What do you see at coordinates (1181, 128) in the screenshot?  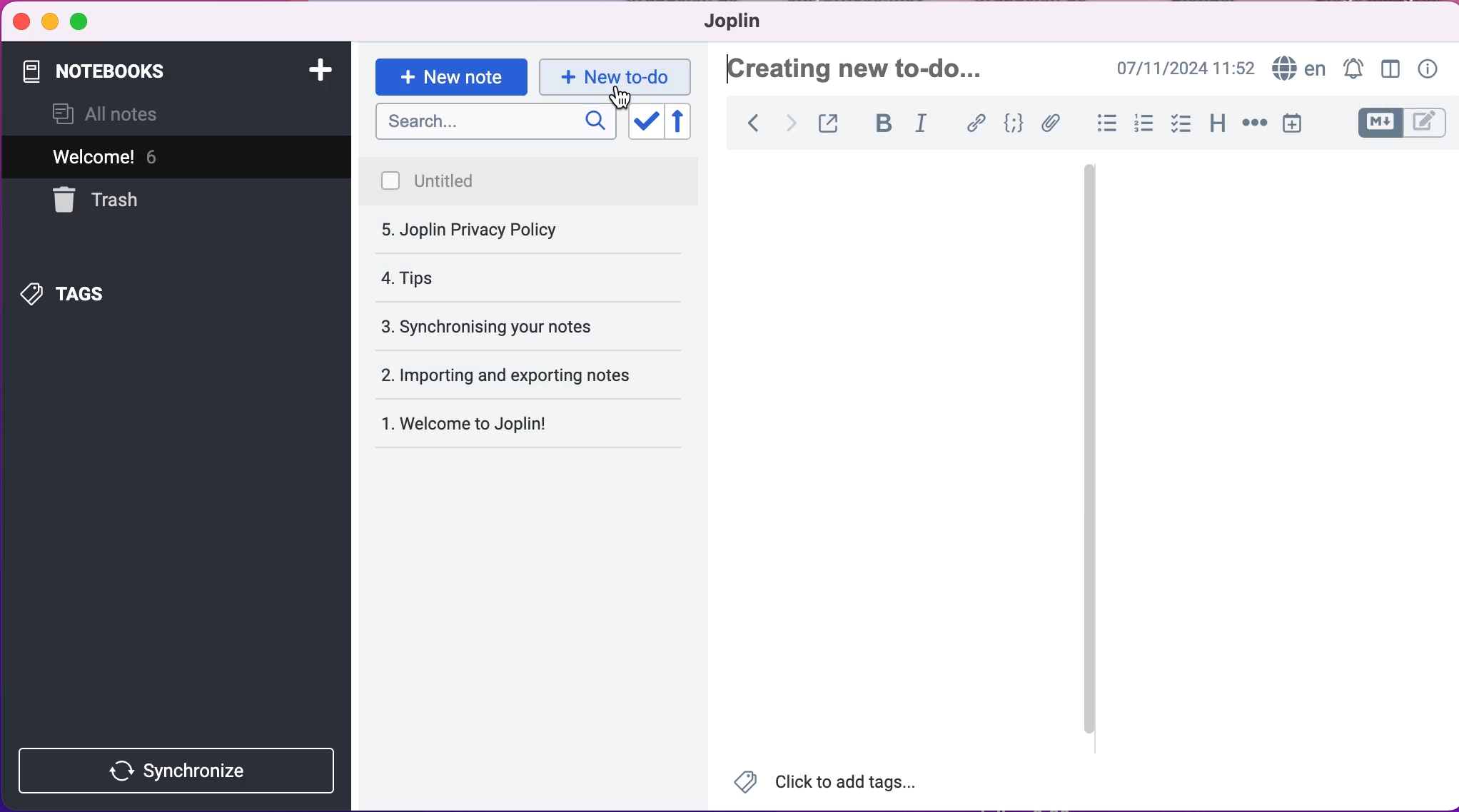 I see `check box` at bounding box center [1181, 128].